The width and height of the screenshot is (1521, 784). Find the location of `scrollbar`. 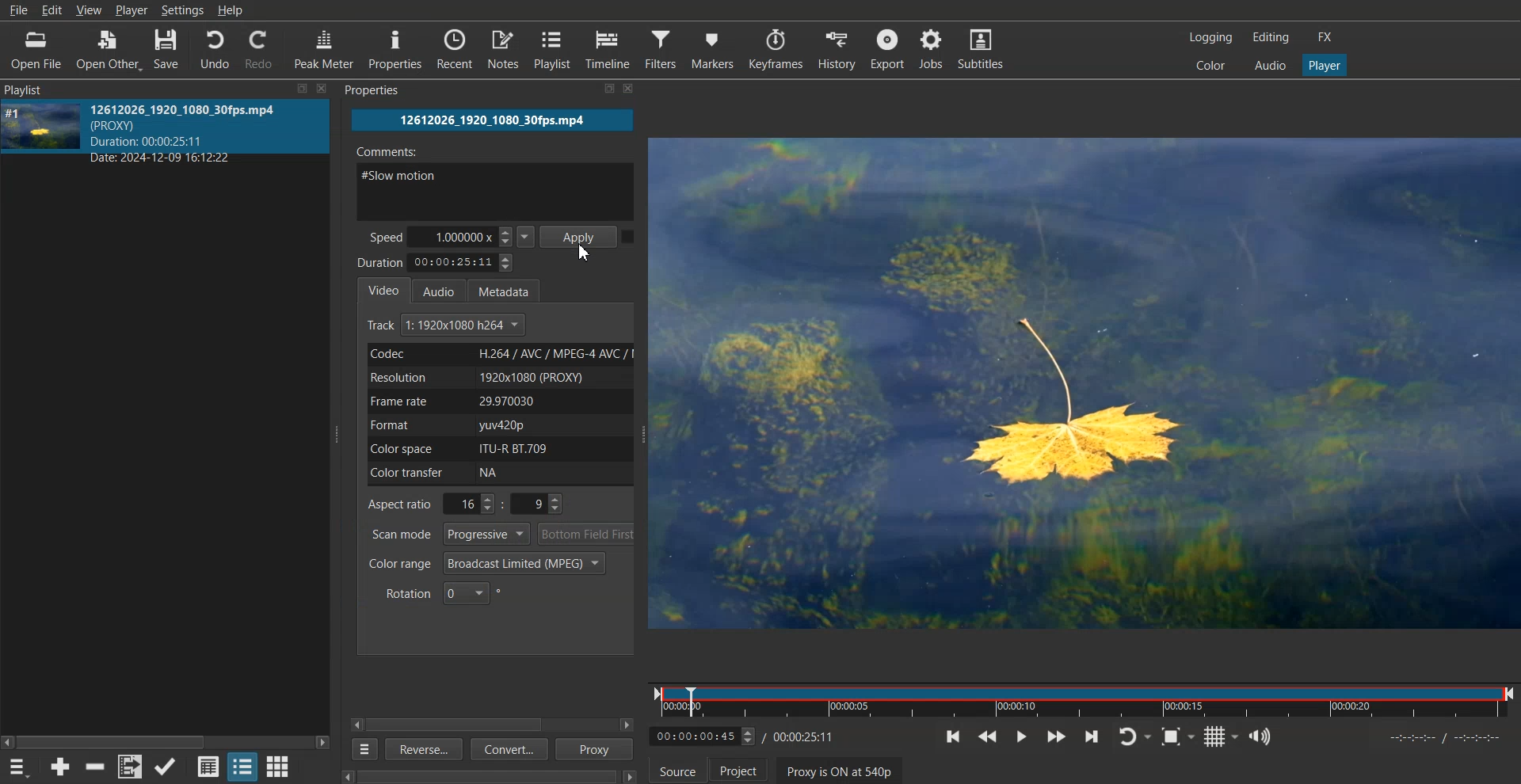

scrollbar is located at coordinates (166, 736).